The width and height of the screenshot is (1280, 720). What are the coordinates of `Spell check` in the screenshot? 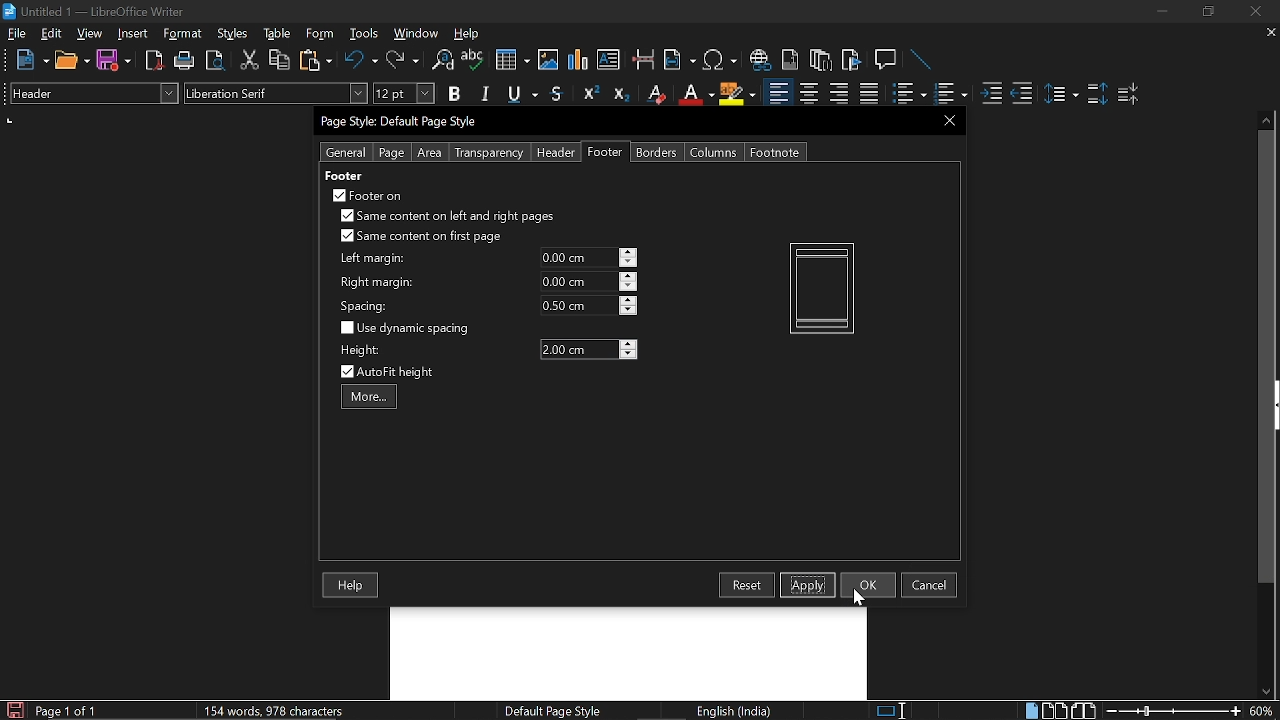 It's located at (473, 60).